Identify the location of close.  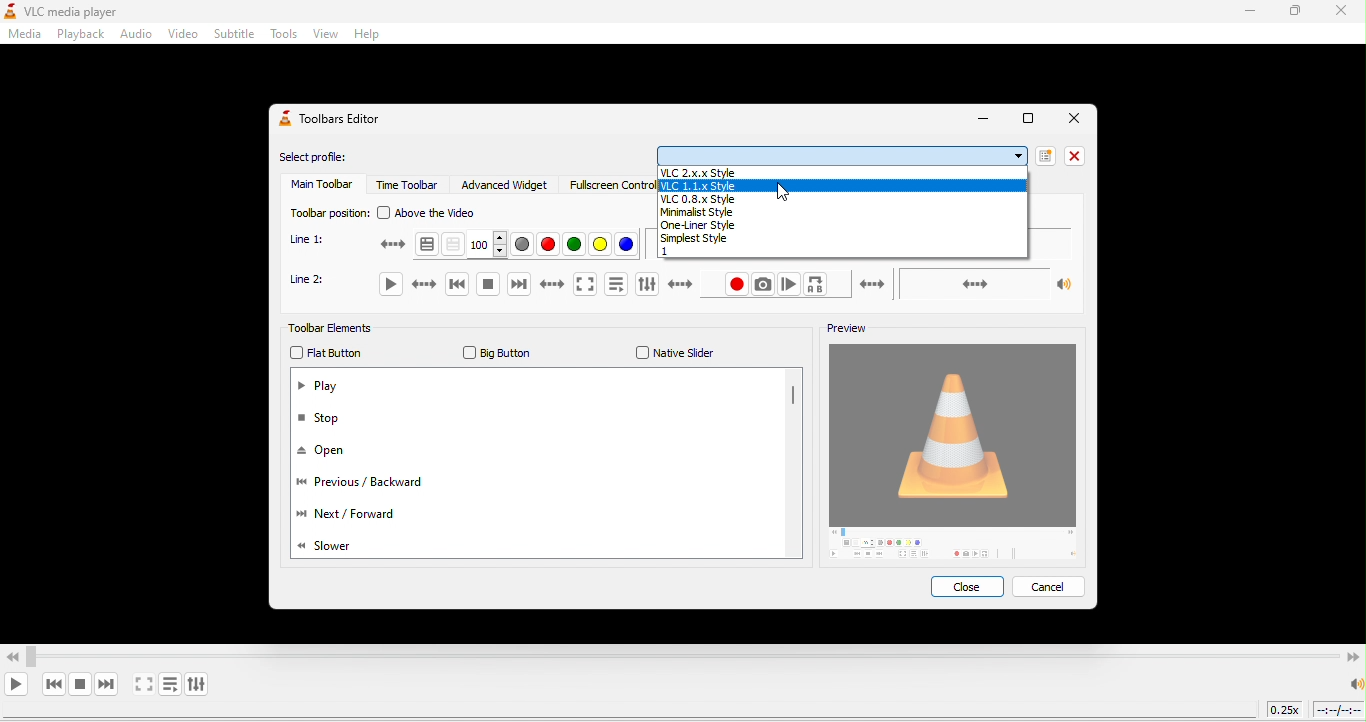
(1344, 13).